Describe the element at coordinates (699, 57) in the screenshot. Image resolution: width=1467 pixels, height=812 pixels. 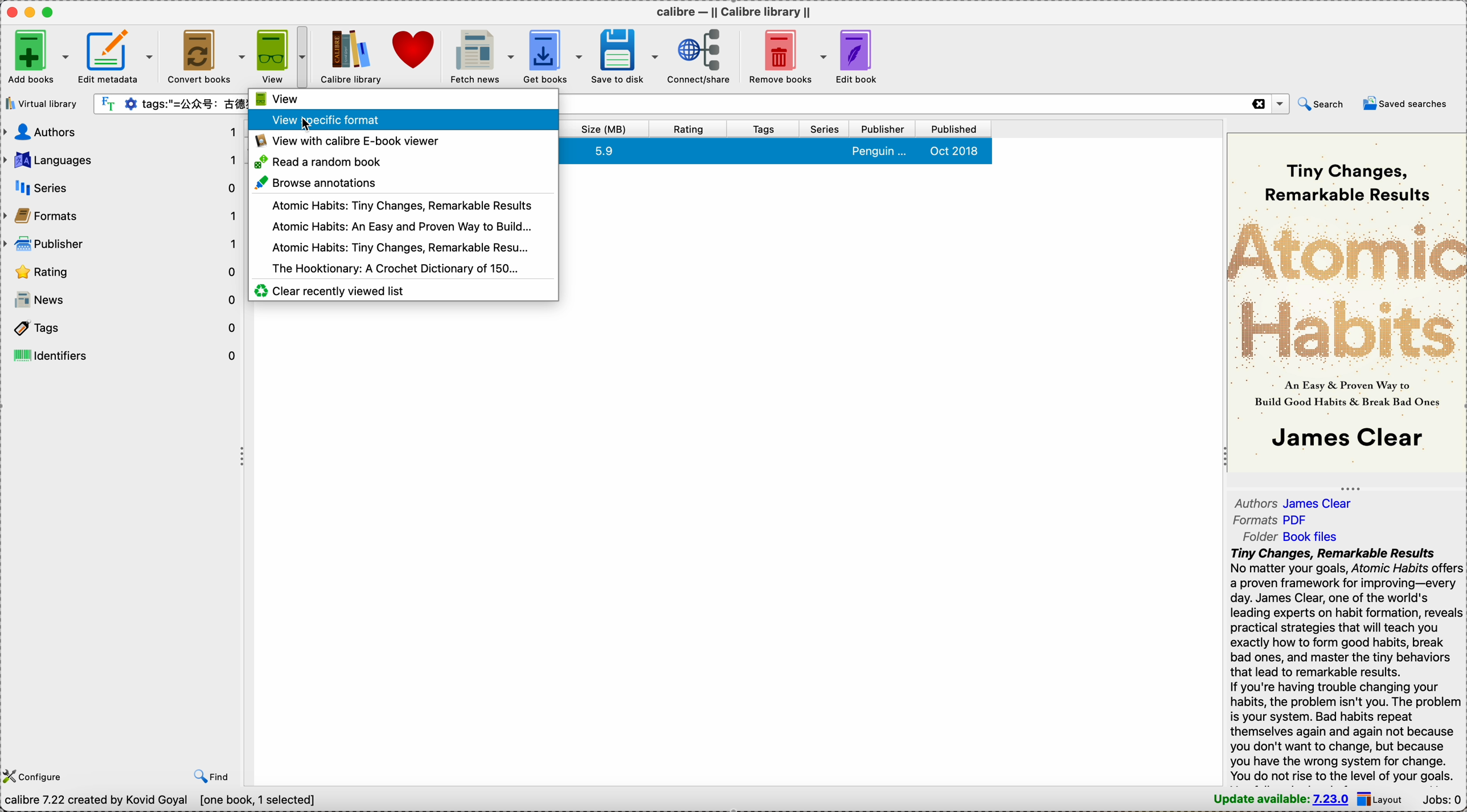
I see `connect/share` at that location.